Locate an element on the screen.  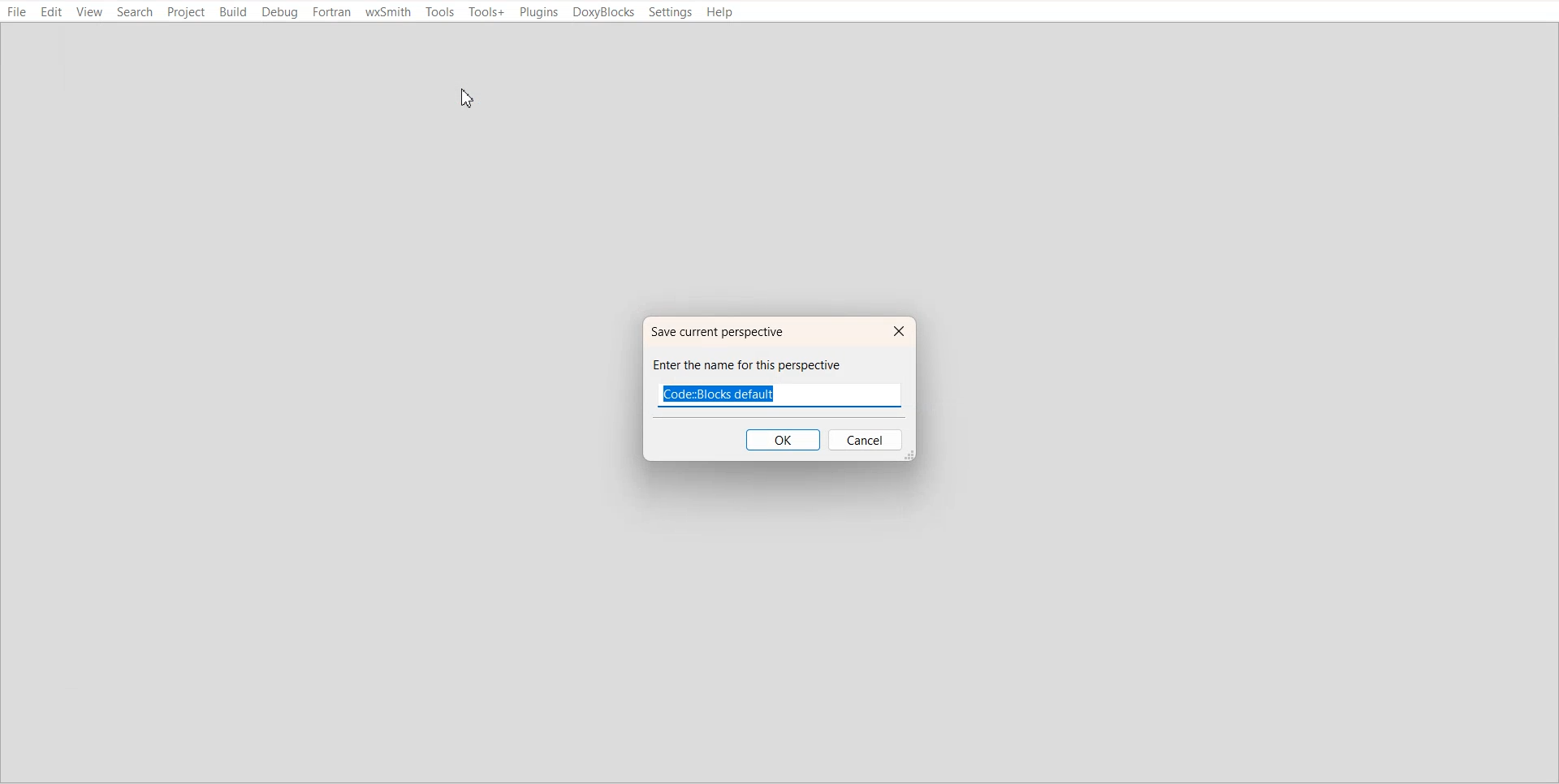
CodeBlocks default is located at coordinates (741, 394).